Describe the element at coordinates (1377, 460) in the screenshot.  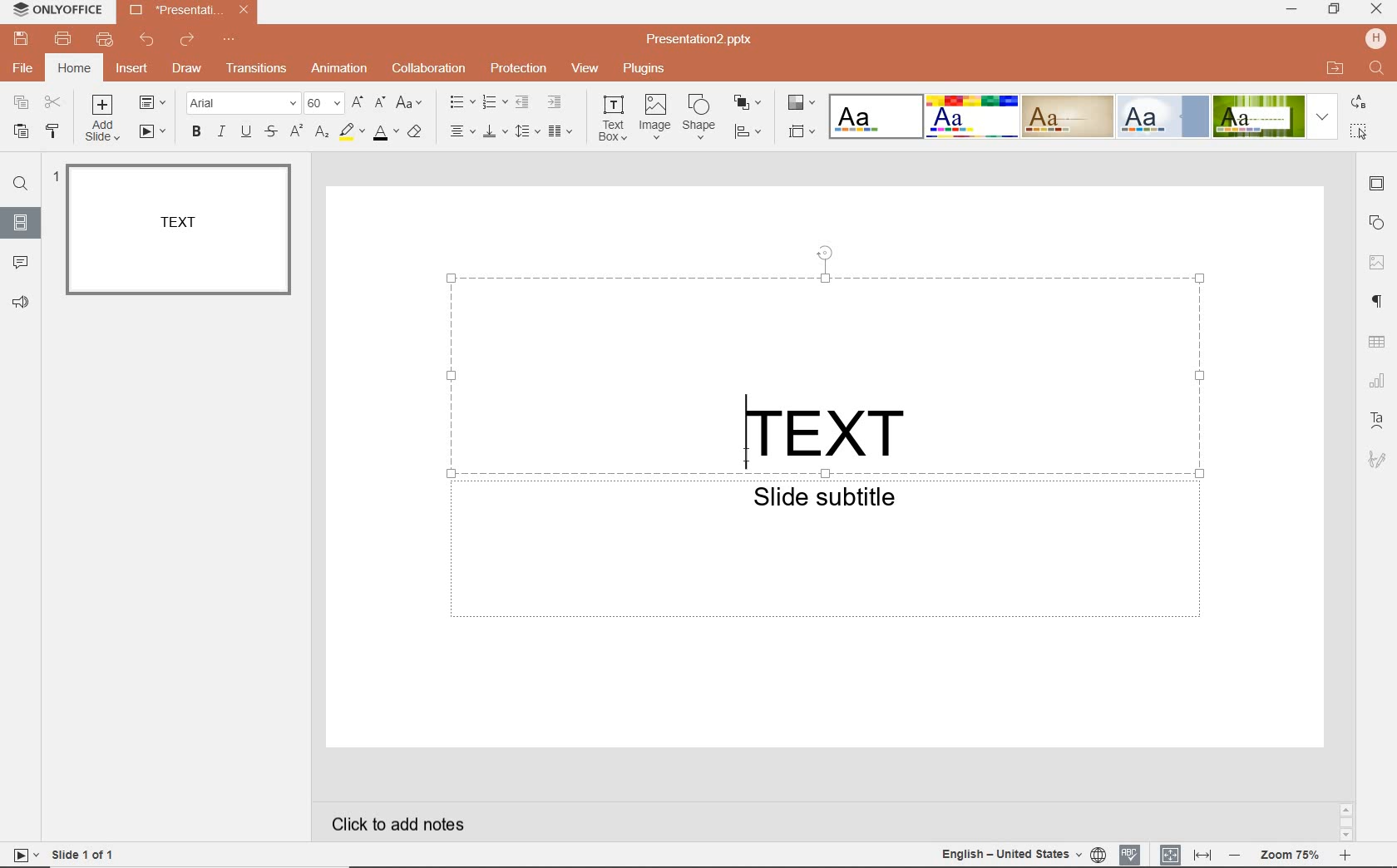
I see `SIGNATURE` at that location.